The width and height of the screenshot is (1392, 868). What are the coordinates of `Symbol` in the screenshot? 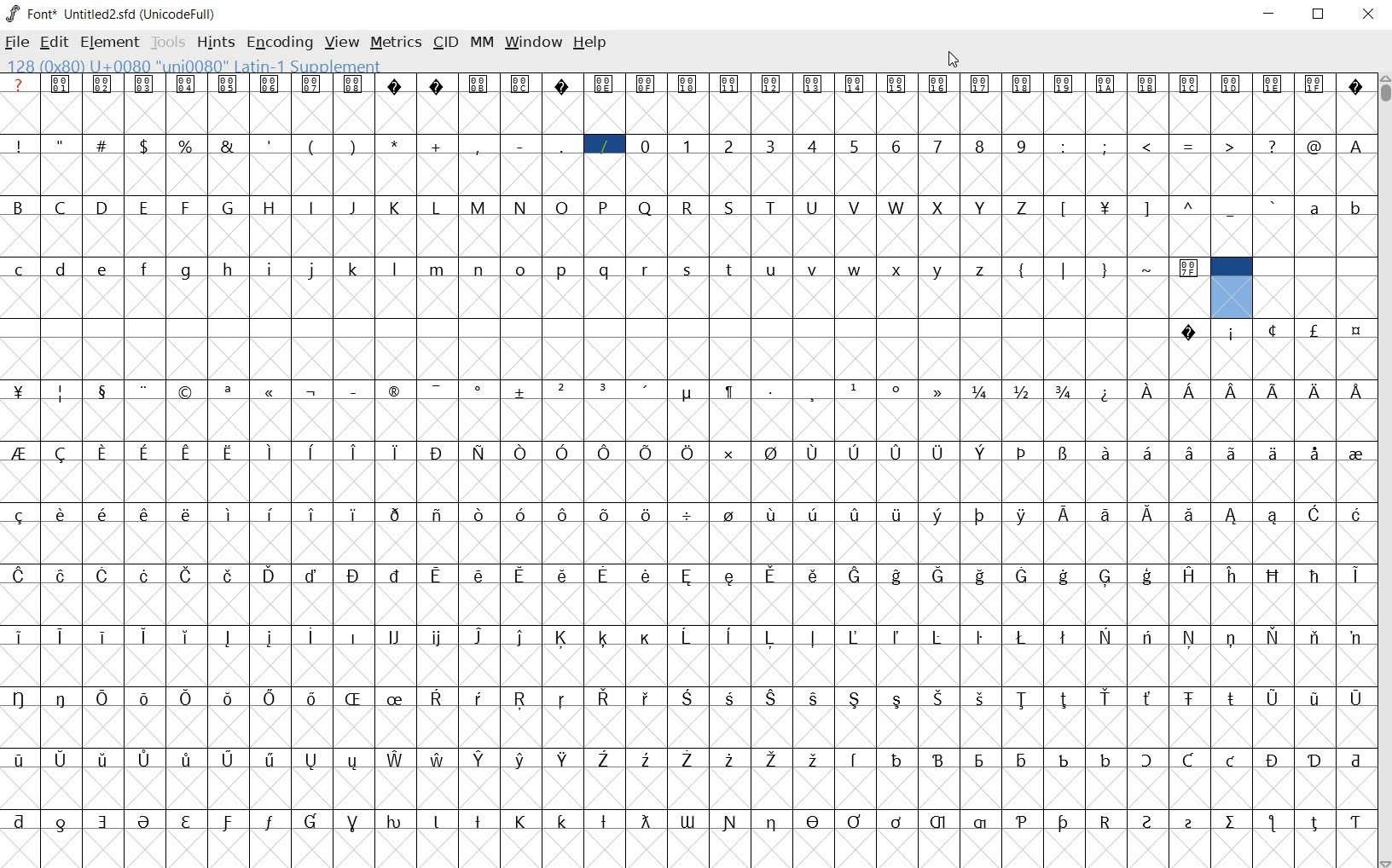 It's located at (229, 697).